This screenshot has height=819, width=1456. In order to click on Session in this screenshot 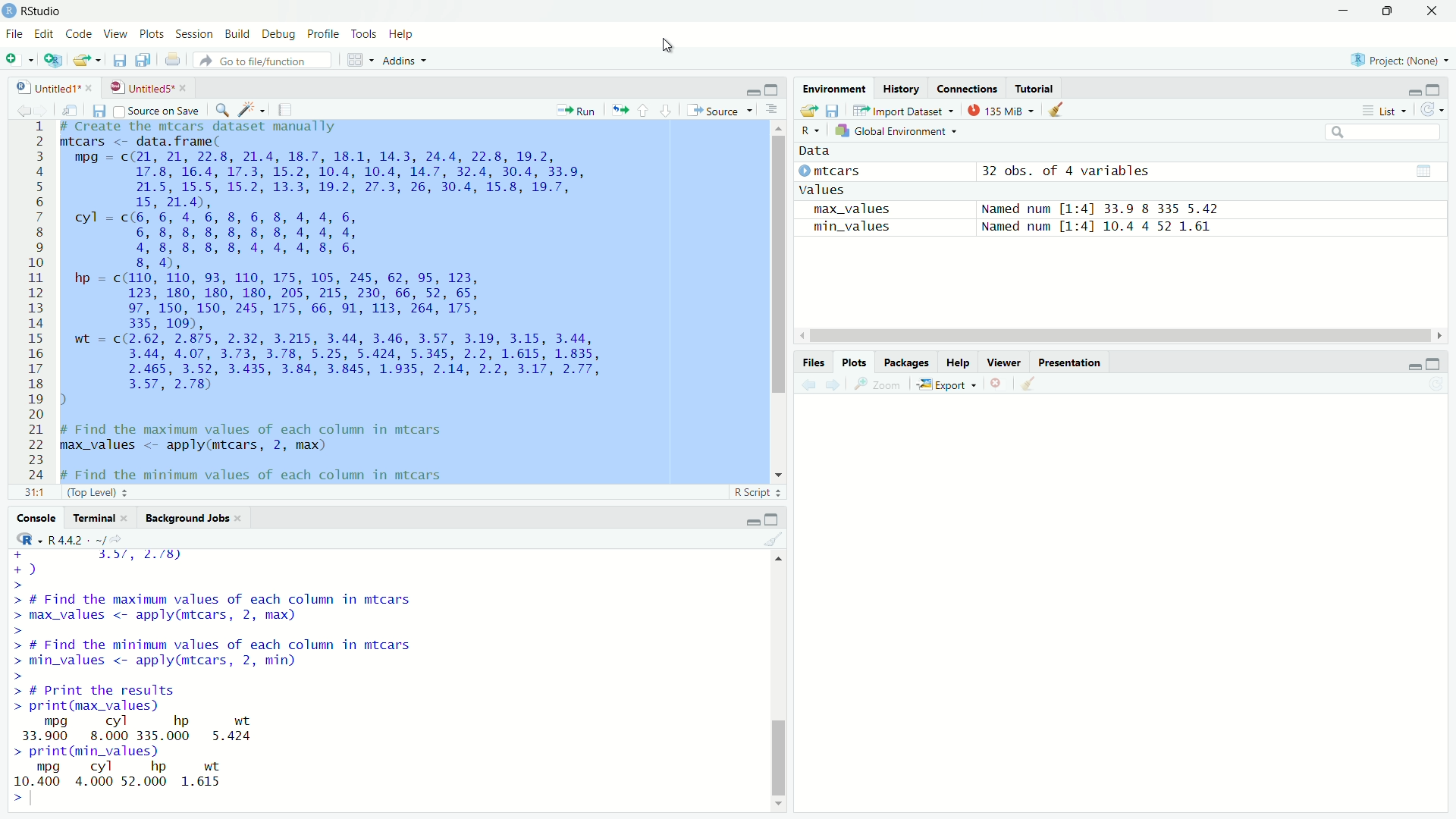, I will do `click(195, 33)`.